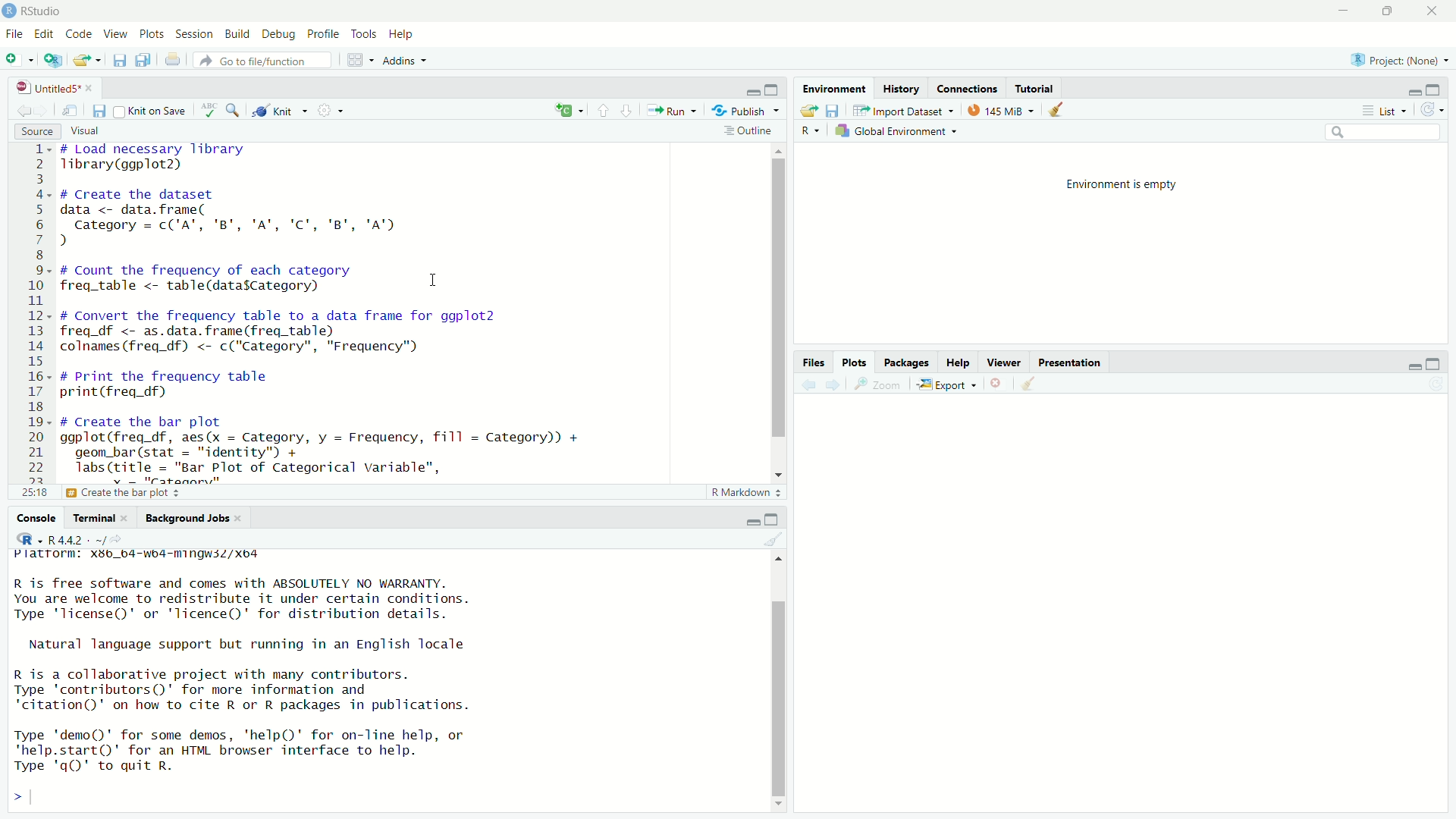  What do you see at coordinates (432, 280) in the screenshot?
I see `cursor` at bounding box center [432, 280].